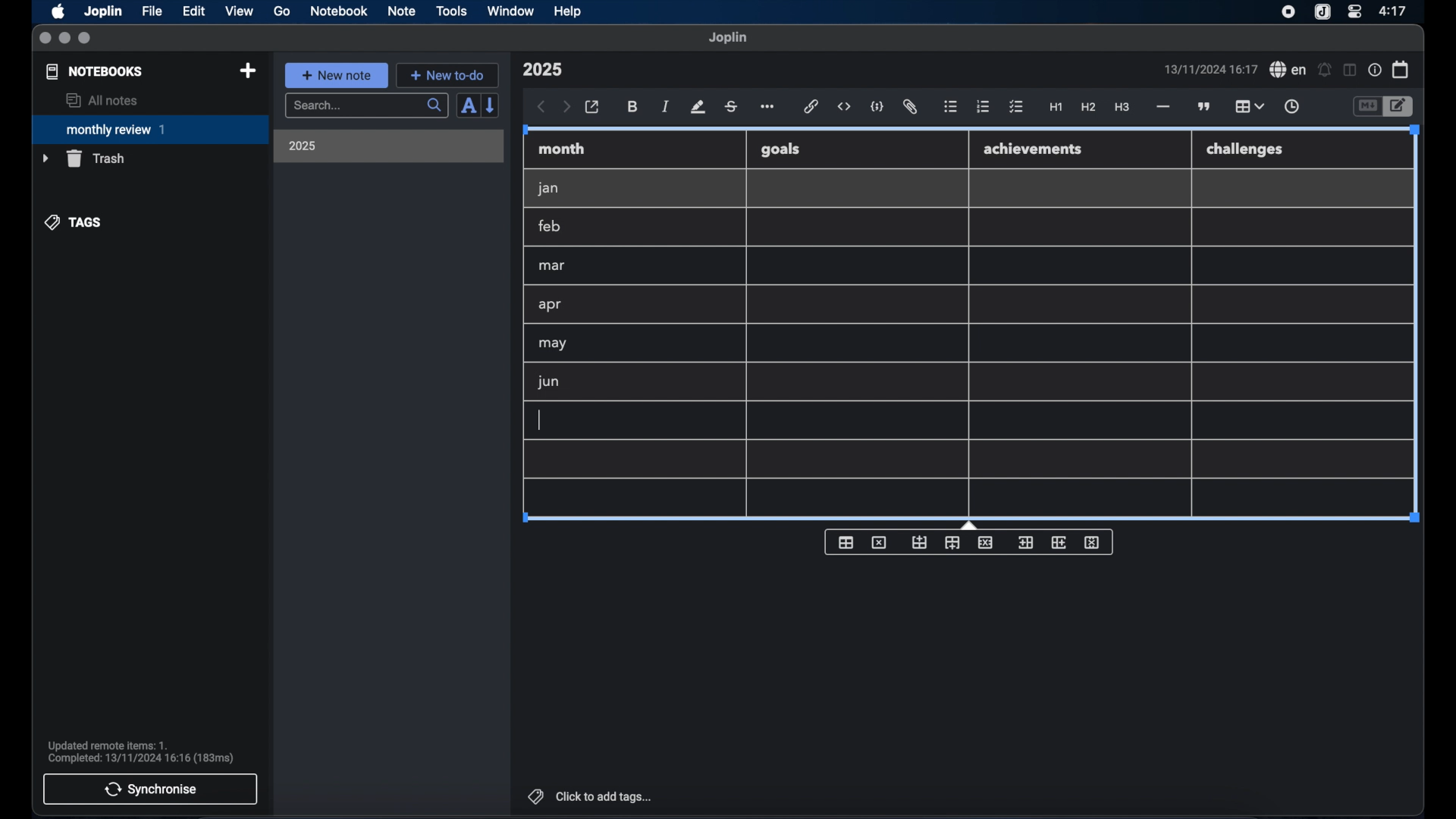 The height and width of the screenshot is (819, 1456). I want to click on code, so click(877, 108).